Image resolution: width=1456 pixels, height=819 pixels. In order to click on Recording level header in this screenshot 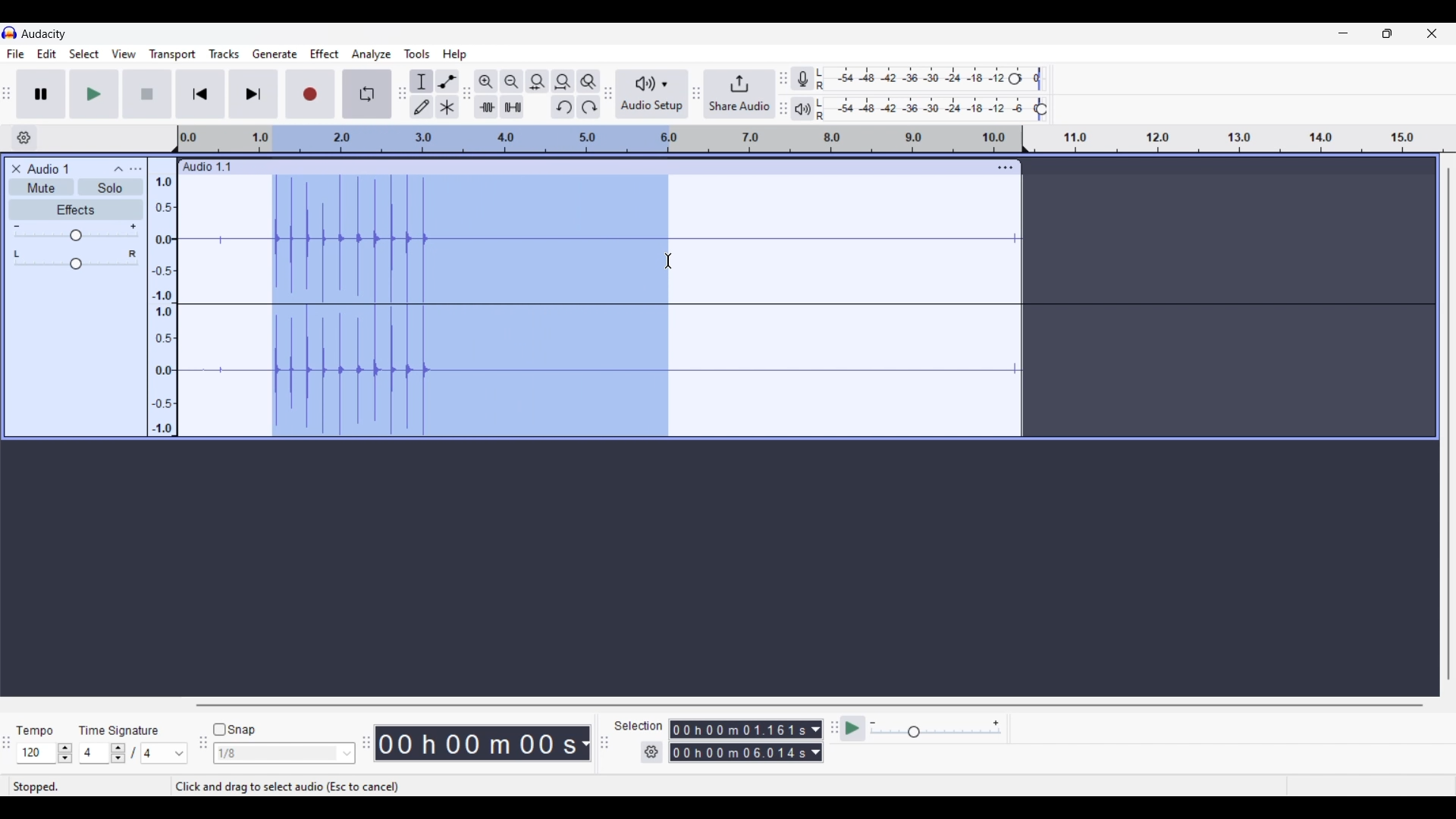, I will do `click(1015, 79)`.